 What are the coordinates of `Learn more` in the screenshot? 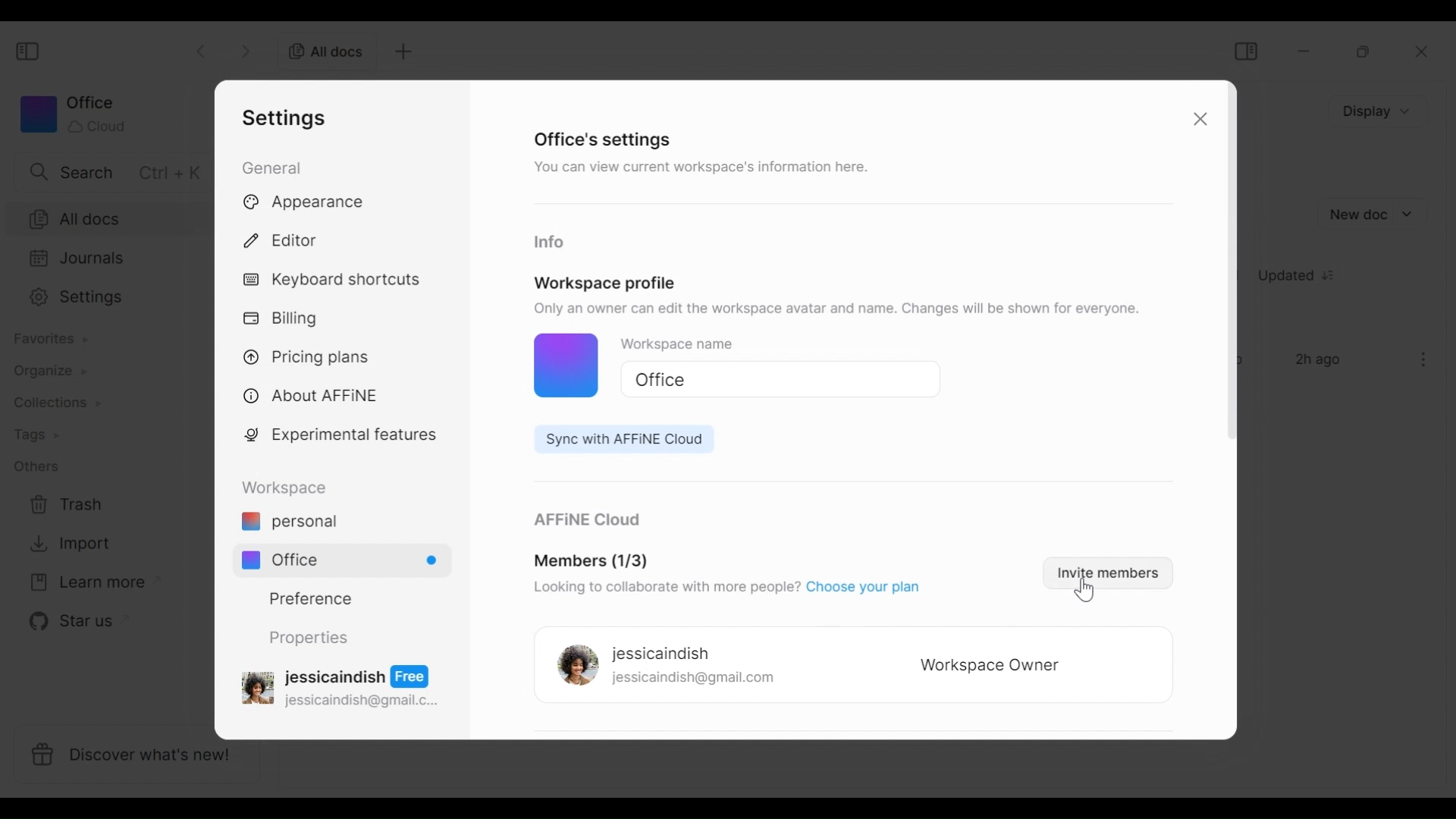 It's located at (87, 583).